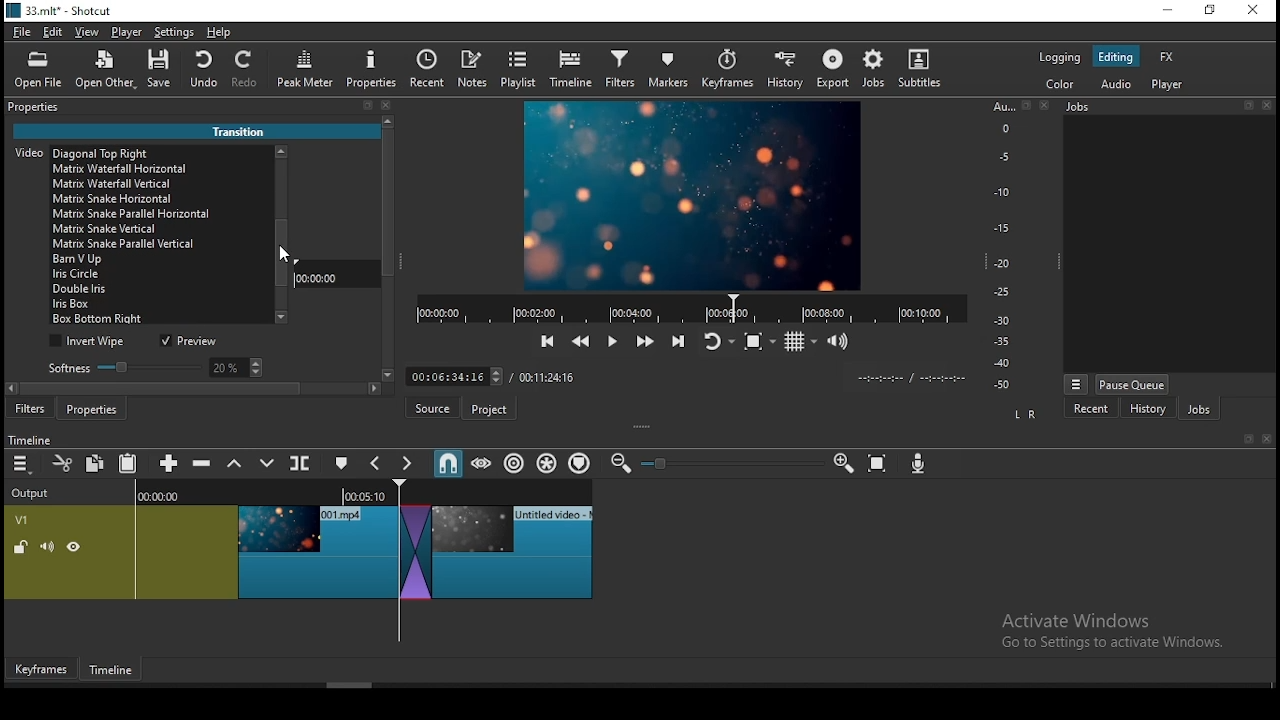  What do you see at coordinates (483, 464) in the screenshot?
I see `scrub while dragging` at bounding box center [483, 464].